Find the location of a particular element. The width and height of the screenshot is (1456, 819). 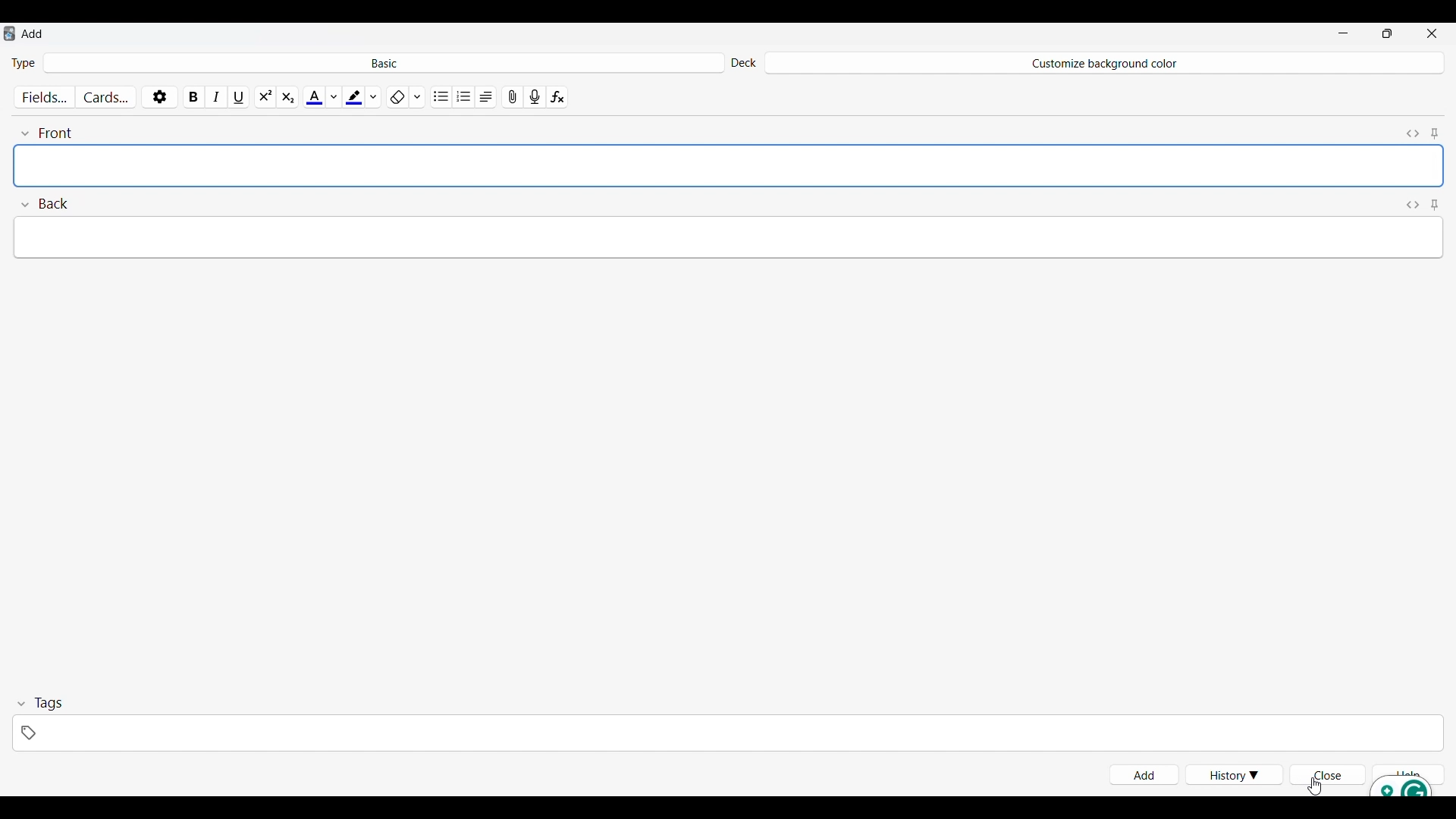

Customize cards is located at coordinates (106, 94).